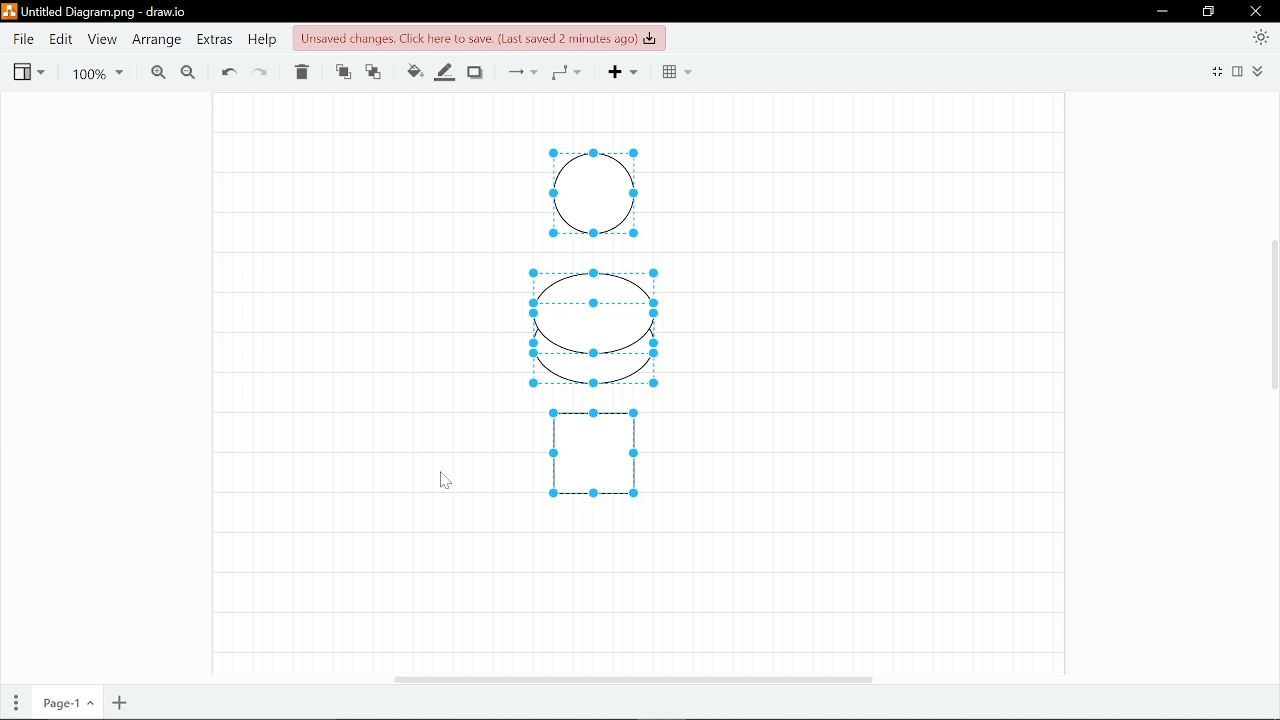 The image size is (1280, 720). I want to click on Current file - Untitled Diagram.png - draw.io, so click(97, 13).